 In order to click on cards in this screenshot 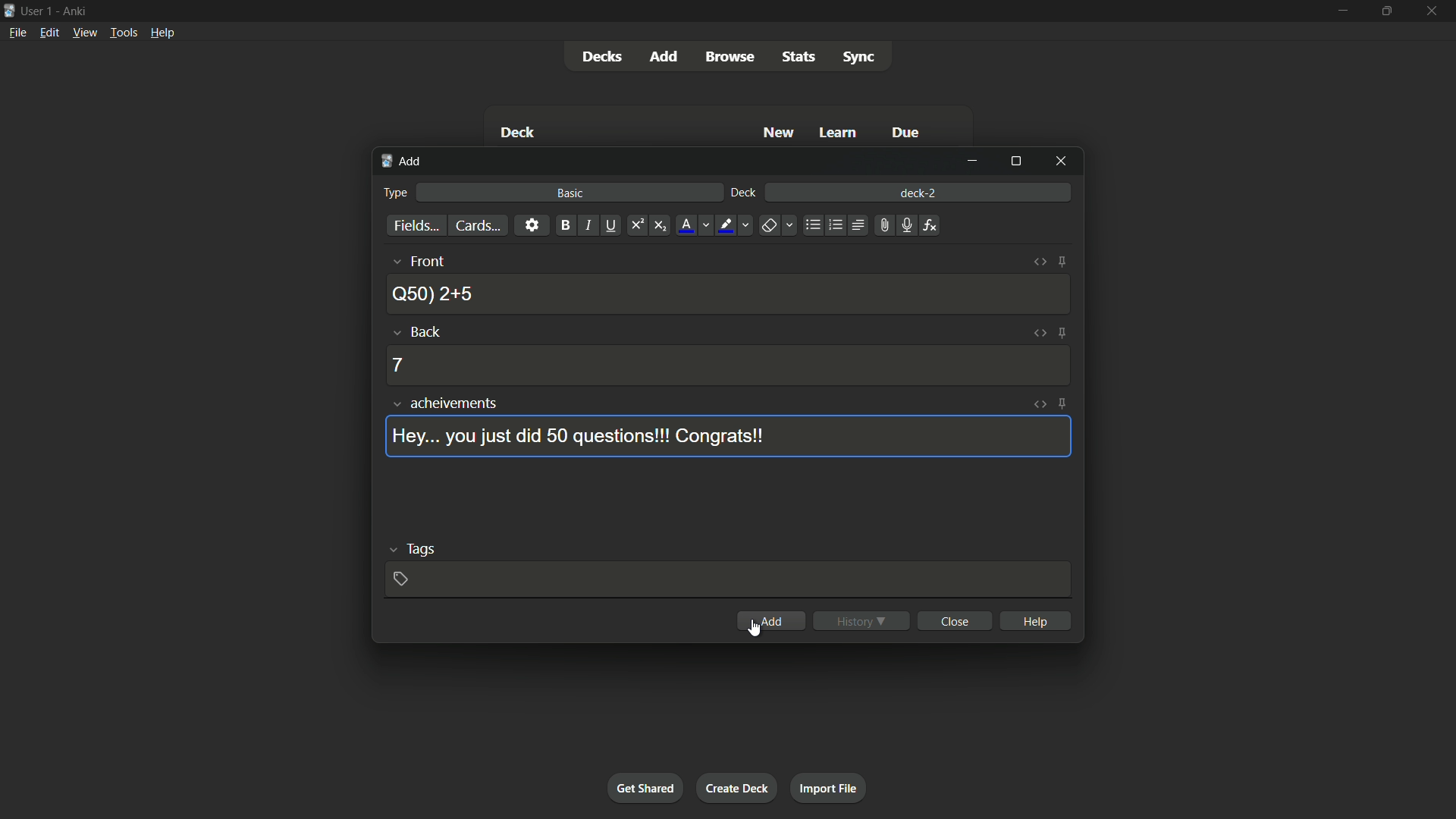, I will do `click(479, 225)`.